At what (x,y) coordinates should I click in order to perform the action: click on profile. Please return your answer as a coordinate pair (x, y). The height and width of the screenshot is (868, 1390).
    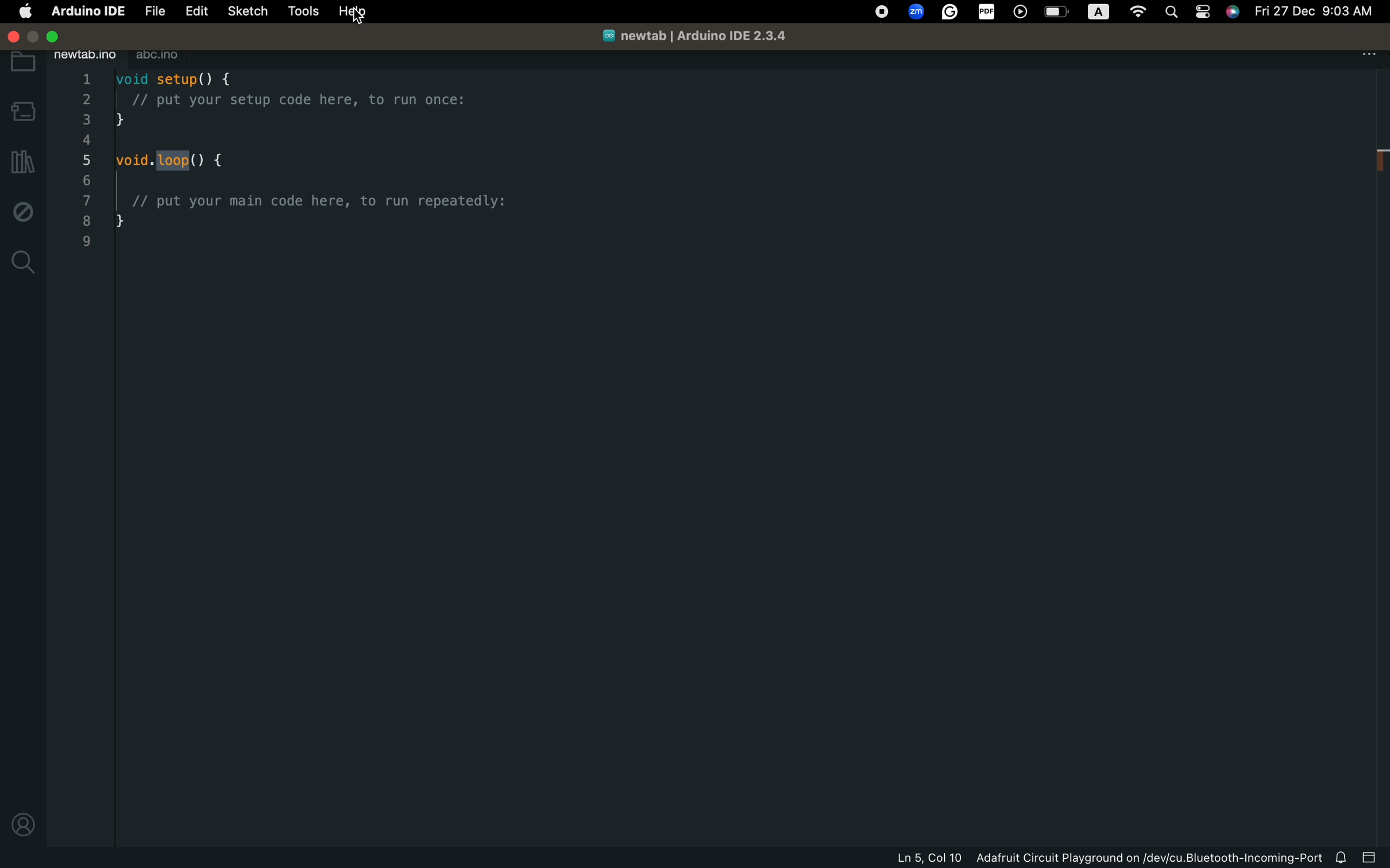
    Looking at the image, I should click on (23, 824).